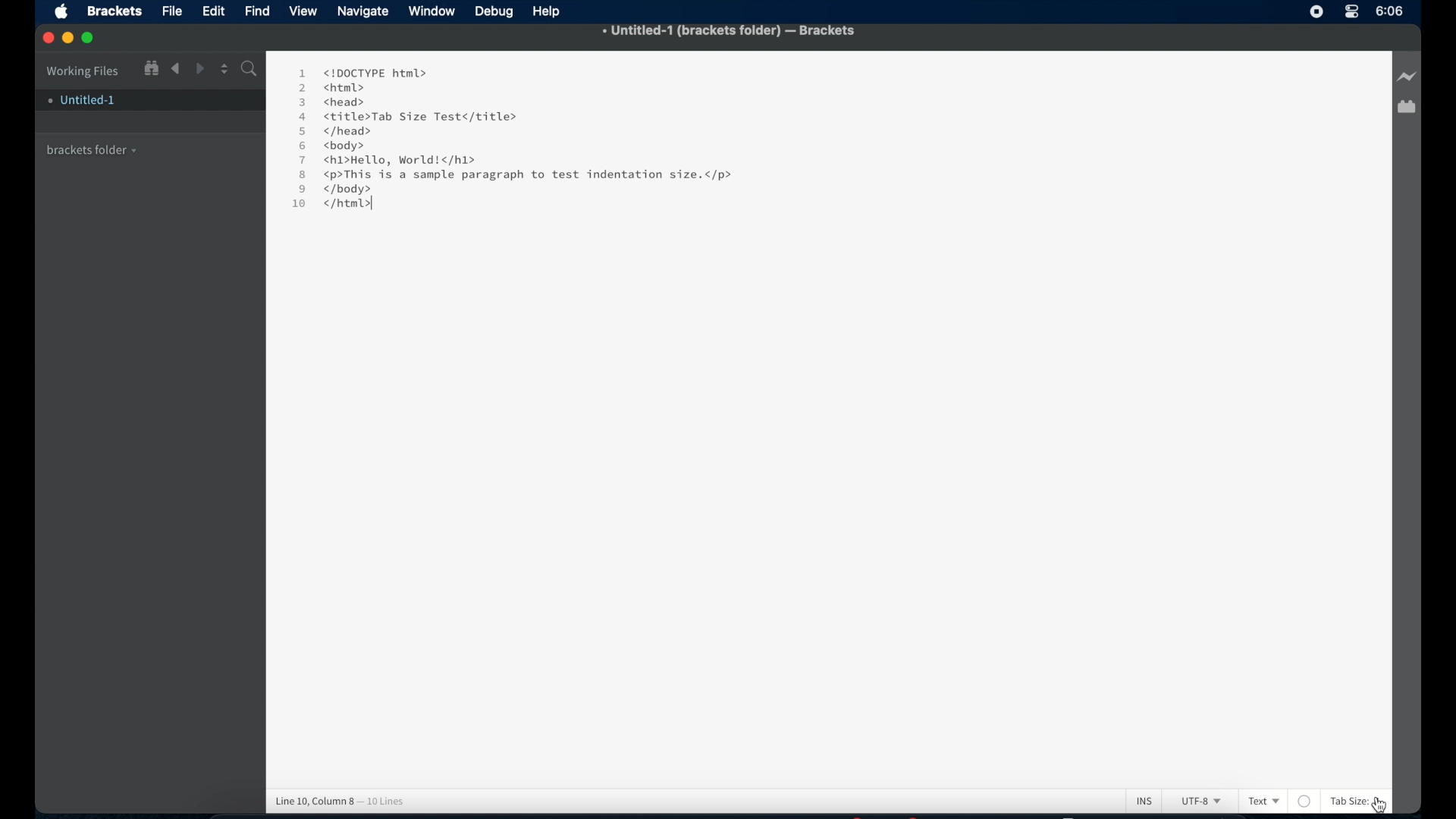 This screenshot has width=1456, height=819. I want to click on Help, so click(550, 11).